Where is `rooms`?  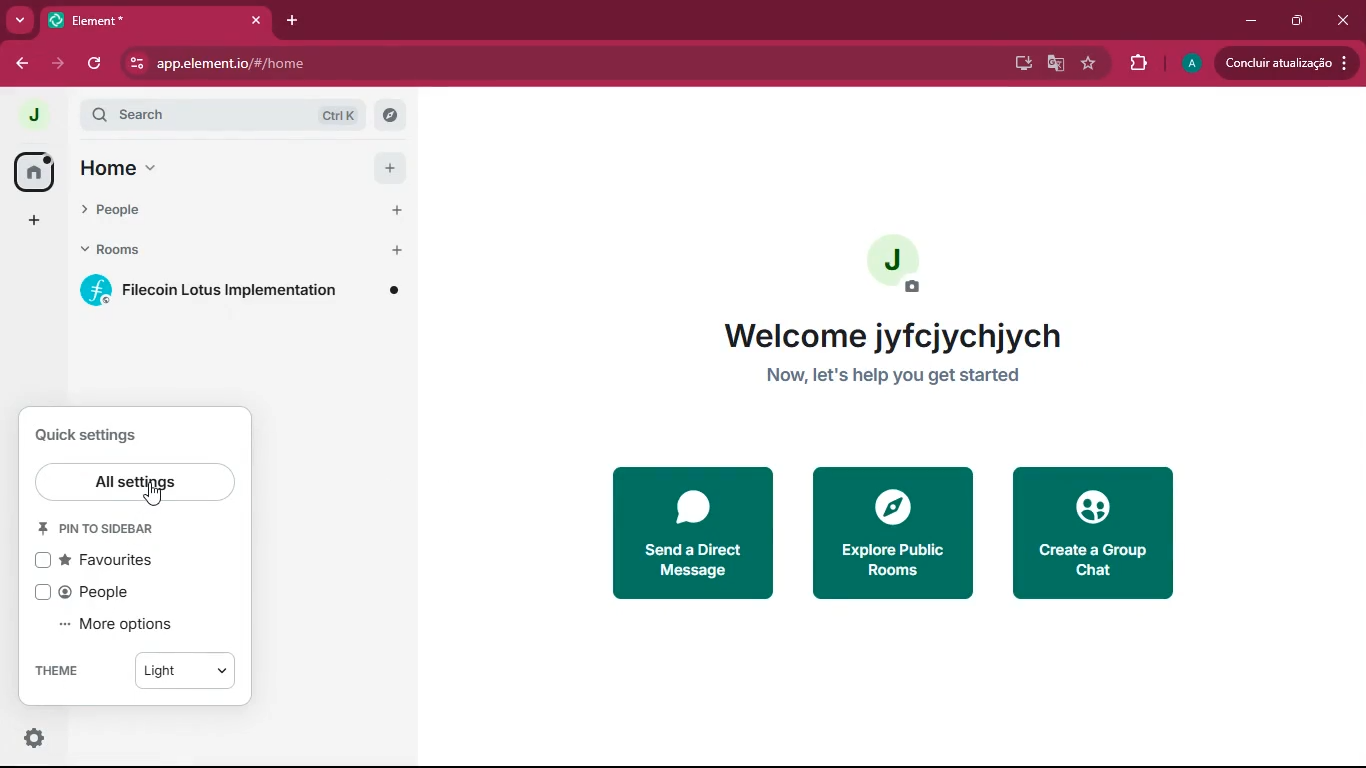 rooms is located at coordinates (213, 253).